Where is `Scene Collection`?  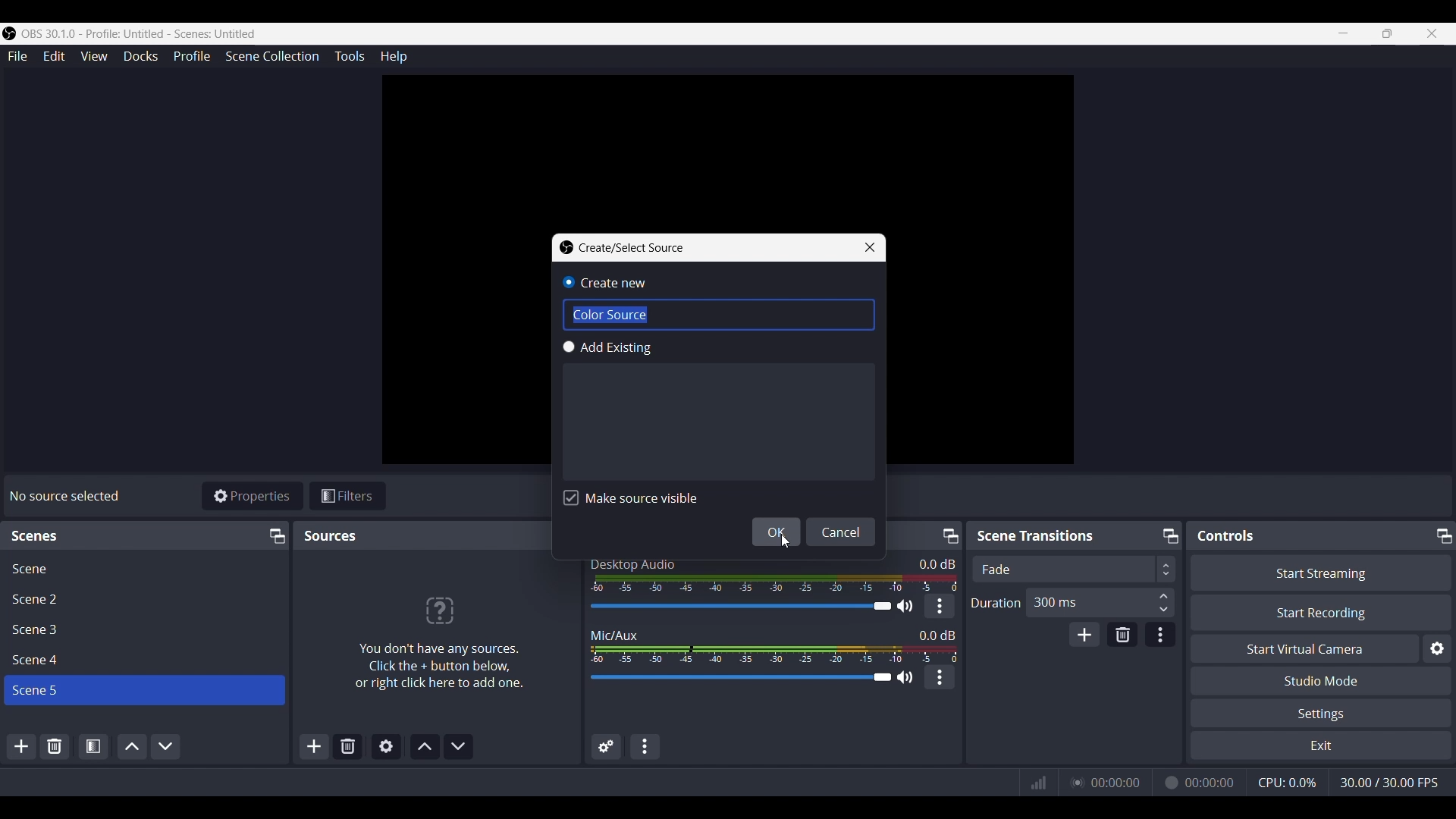 Scene Collection is located at coordinates (273, 57).